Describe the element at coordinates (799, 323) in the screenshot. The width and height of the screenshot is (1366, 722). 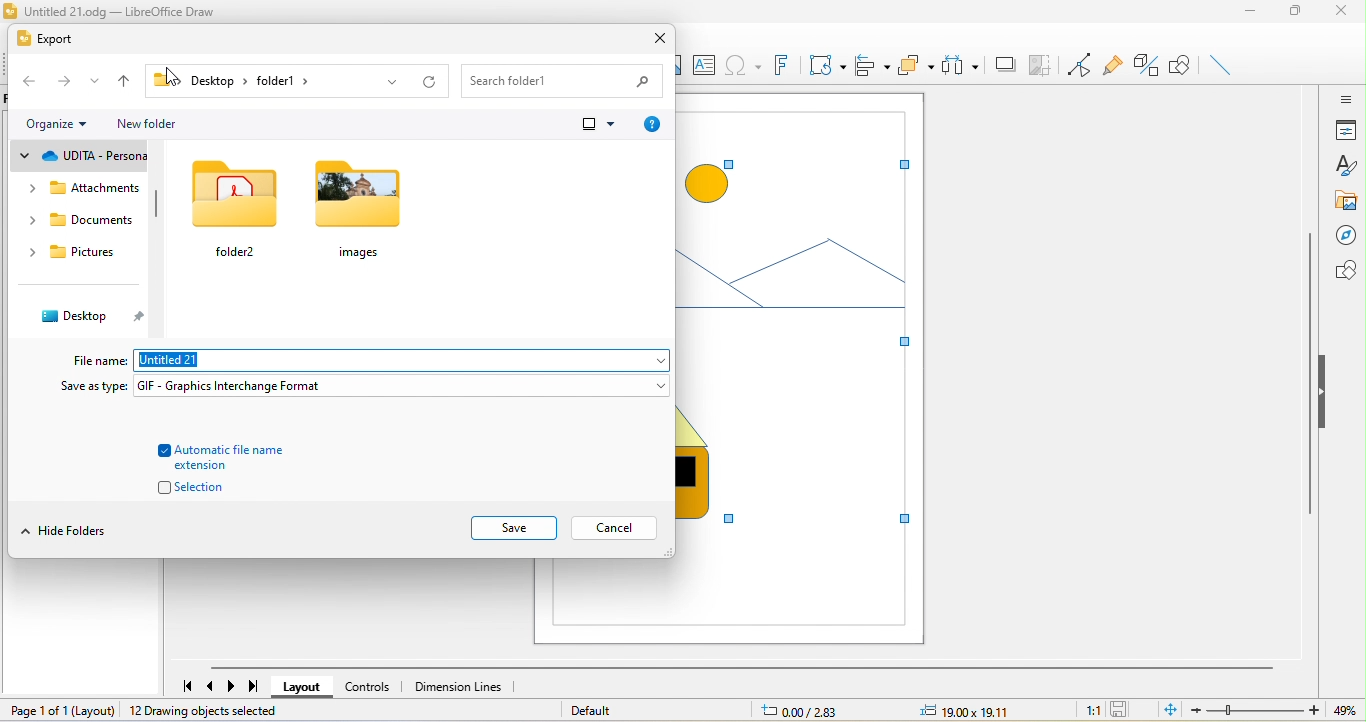
I see `selected` at that location.